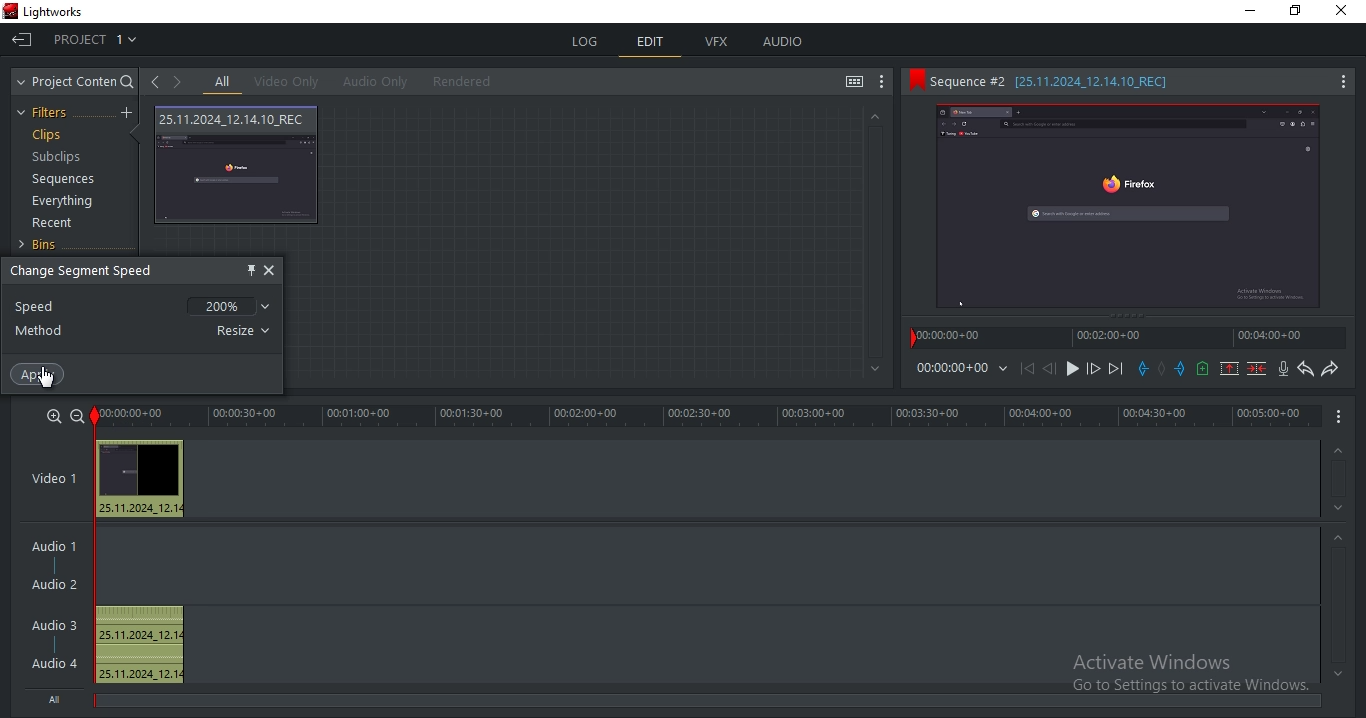 The image size is (1366, 718). What do you see at coordinates (40, 374) in the screenshot?
I see `apply` at bounding box center [40, 374].